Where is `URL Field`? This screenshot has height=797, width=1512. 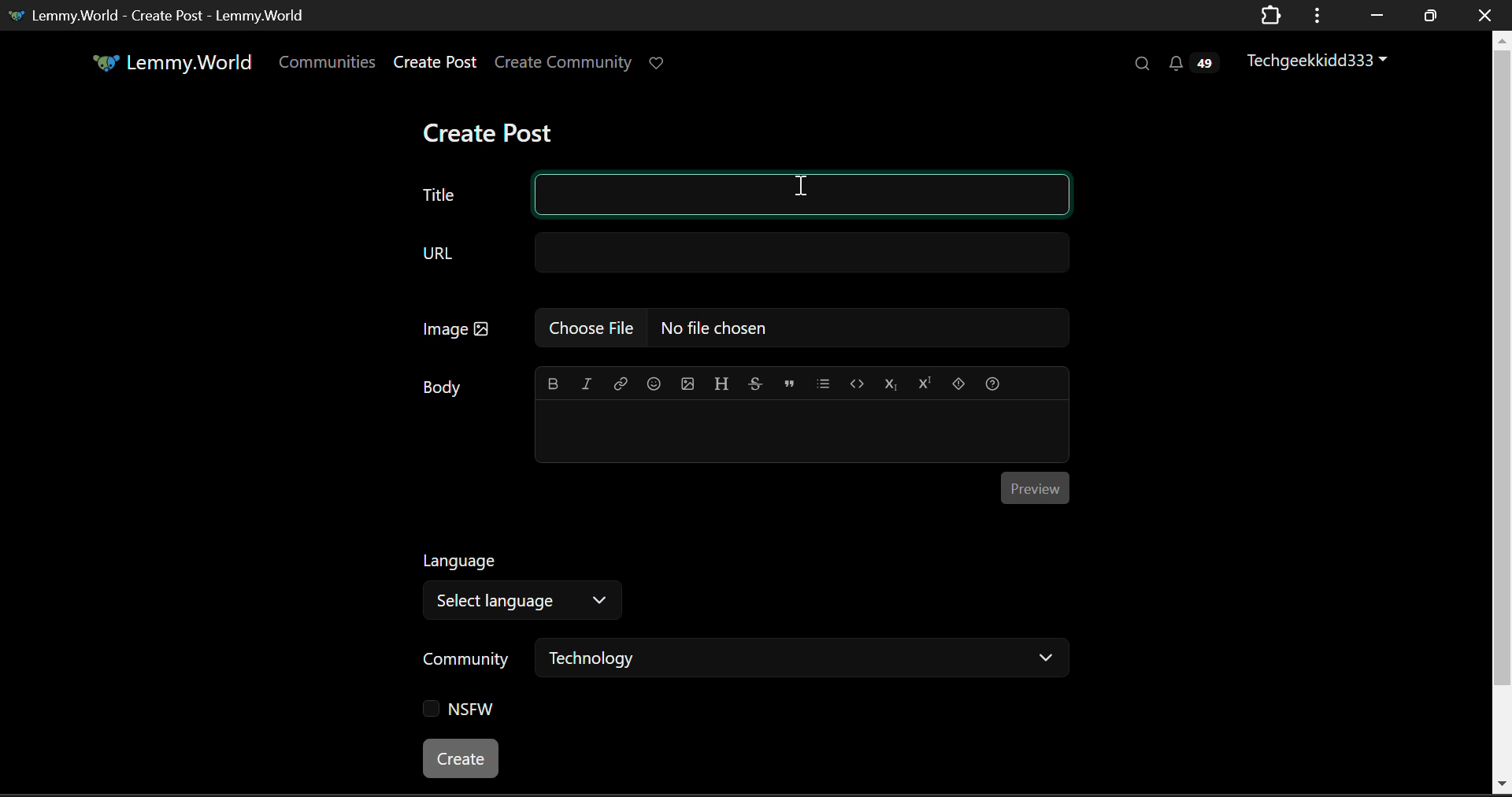
URL Field is located at coordinates (733, 251).